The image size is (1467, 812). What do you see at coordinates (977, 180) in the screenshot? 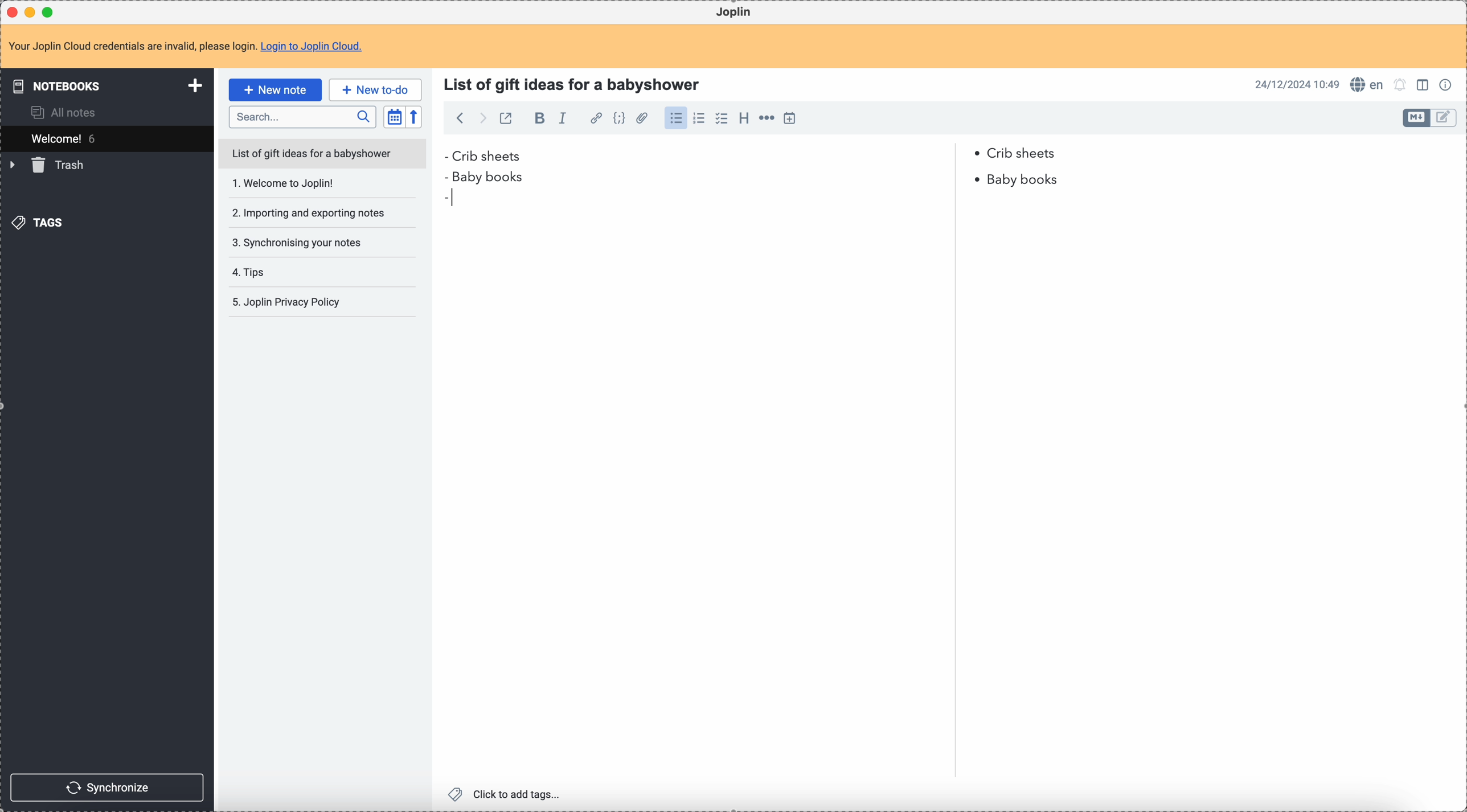
I see `bullet point` at bounding box center [977, 180].